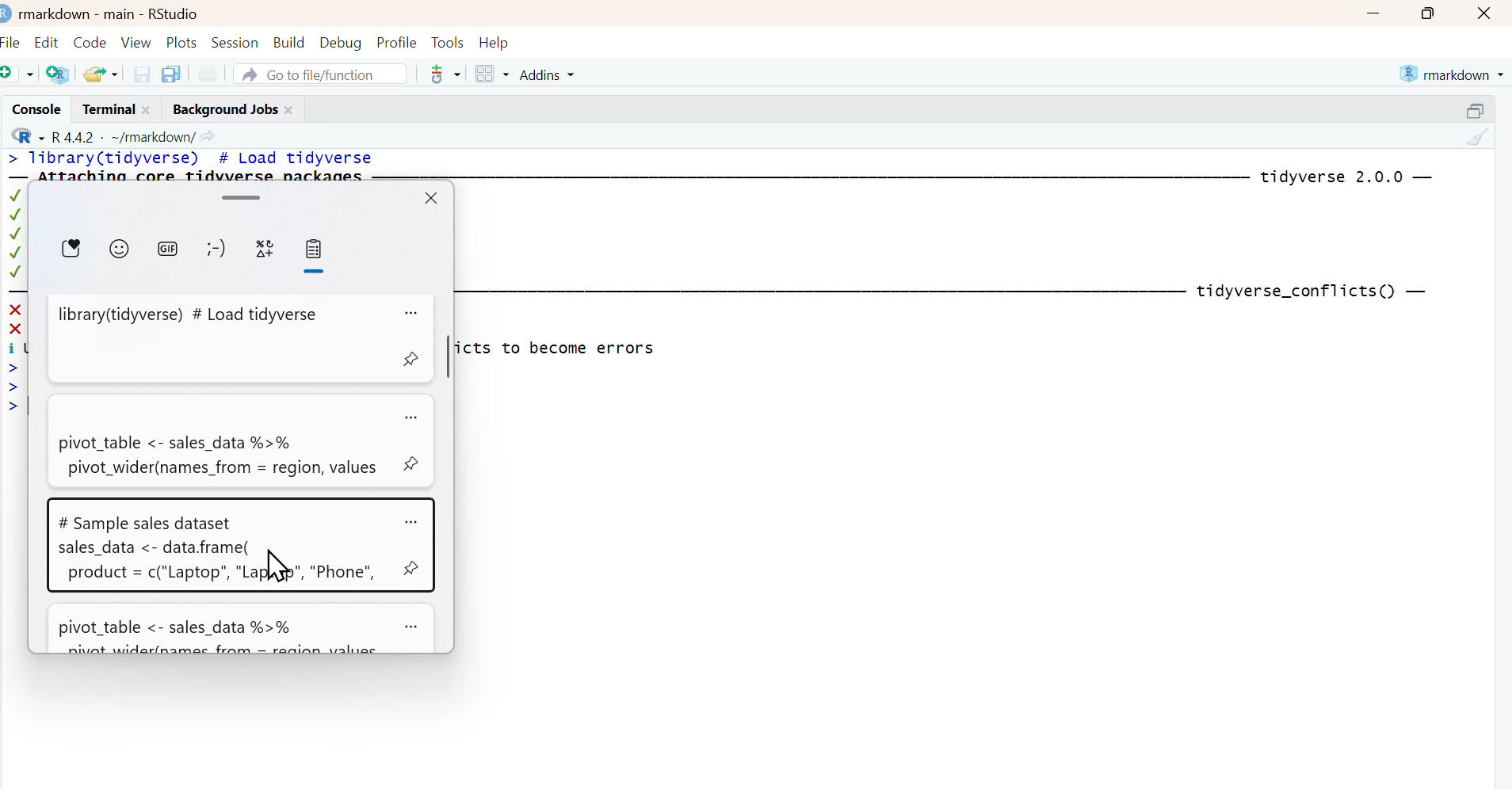  What do you see at coordinates (19, 73) in the screenshot?
I see `new file` at bounding box center [19, 73].